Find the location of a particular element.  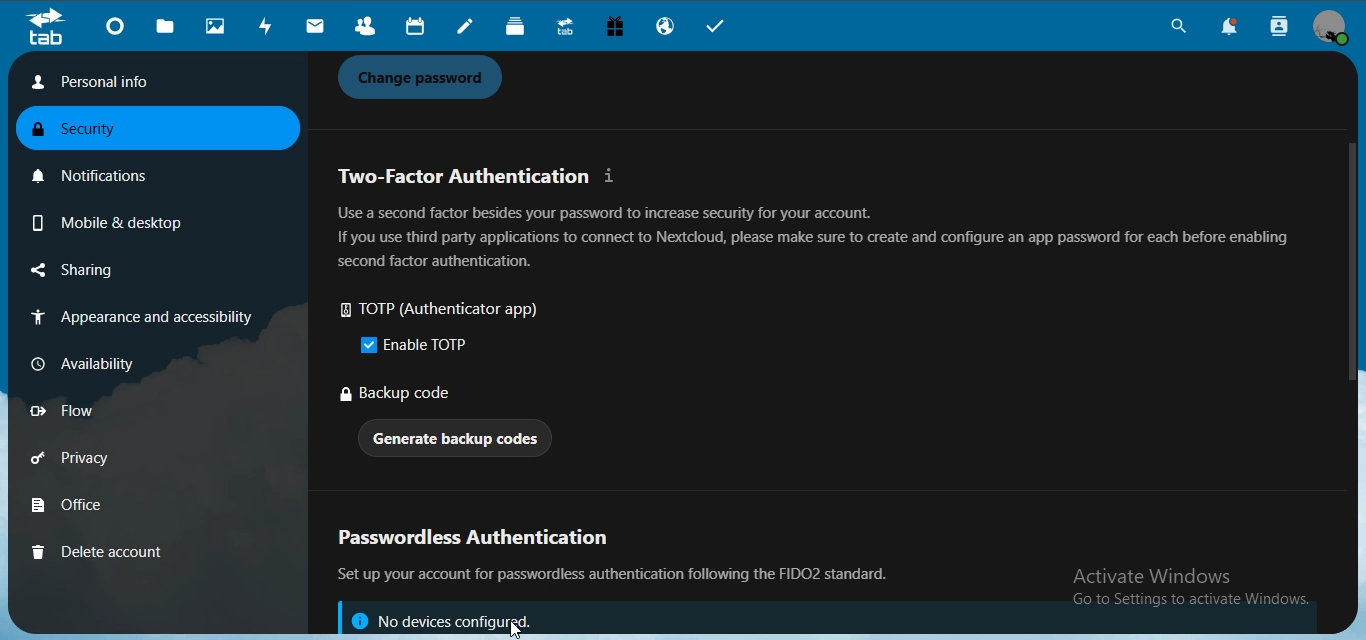

photos is located at coordinates (218, 27).